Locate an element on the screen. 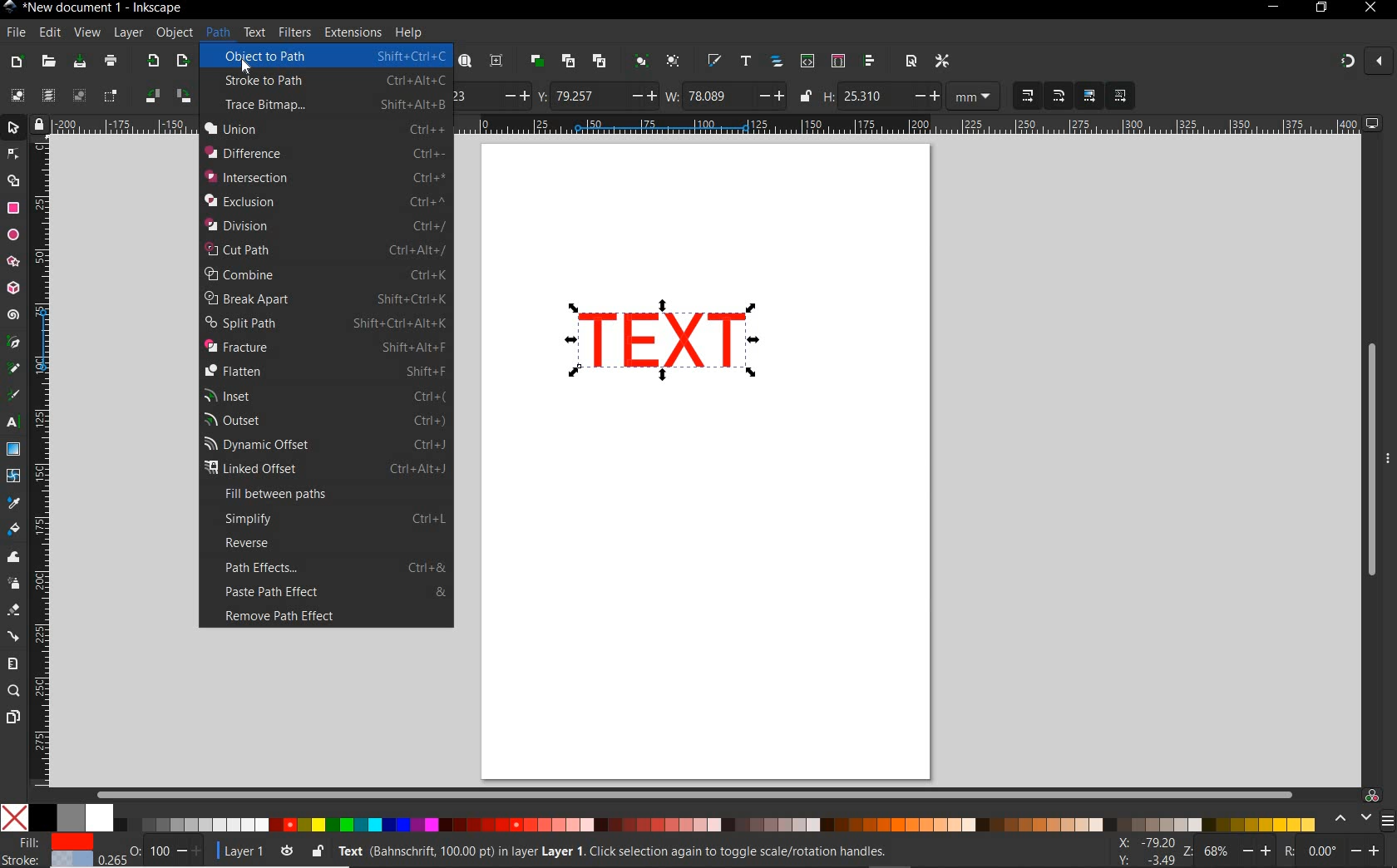  ENABLE SNAPPING TOOL is located at coordinates (1365, 61).